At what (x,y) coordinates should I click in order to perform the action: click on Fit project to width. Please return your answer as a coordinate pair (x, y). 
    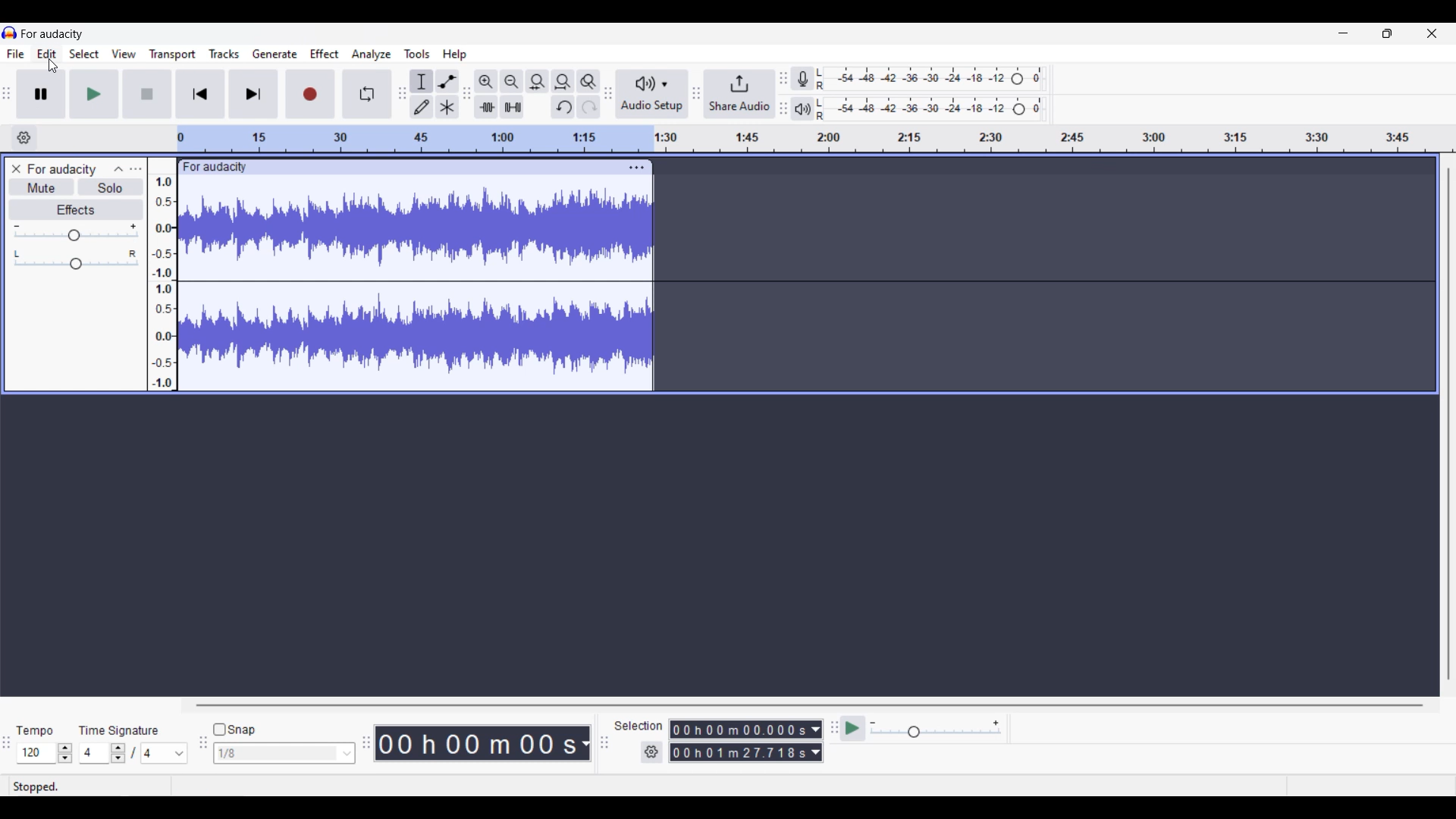
    Looking at the image, I should click on (563, 82).